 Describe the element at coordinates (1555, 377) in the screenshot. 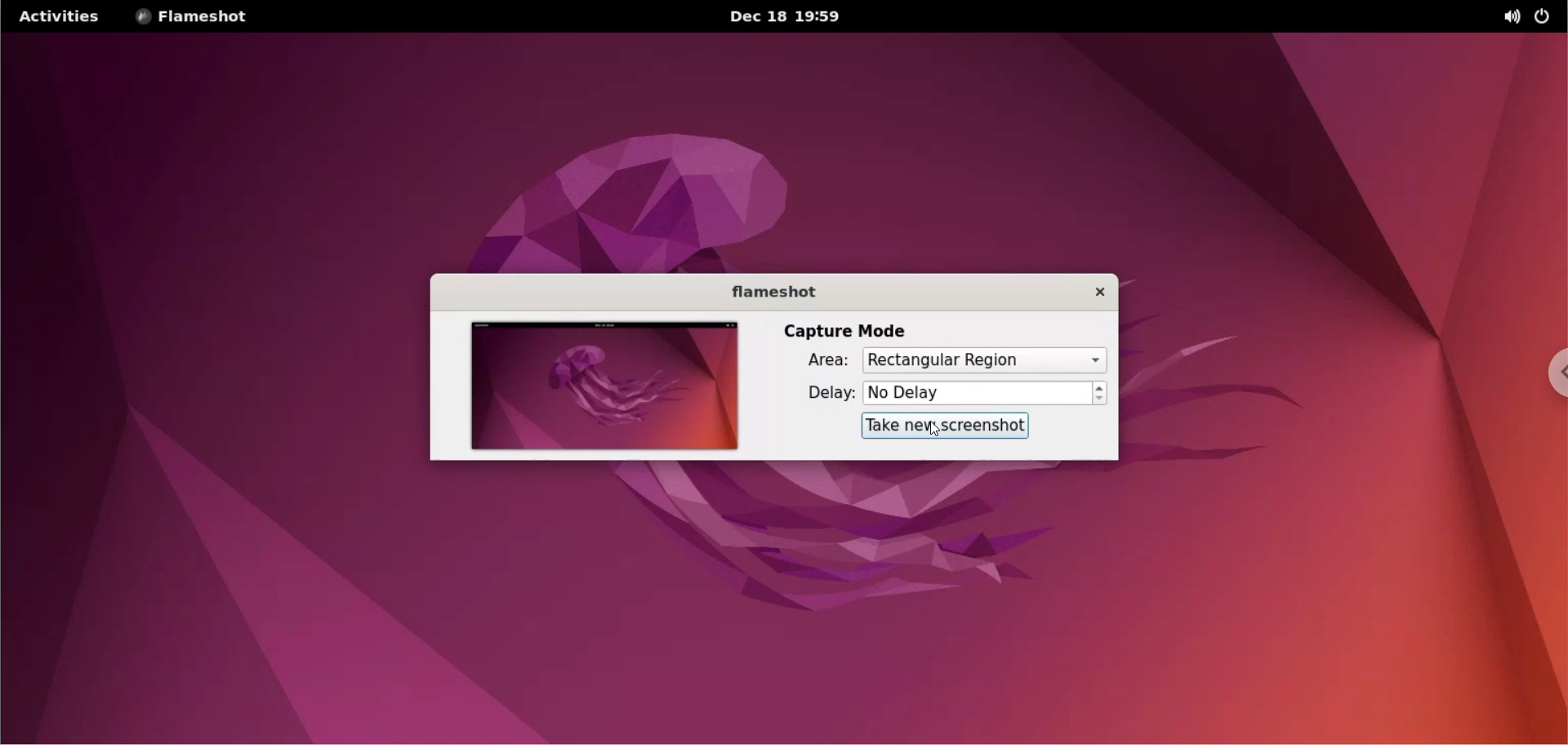

I see `chrome options` at that location.